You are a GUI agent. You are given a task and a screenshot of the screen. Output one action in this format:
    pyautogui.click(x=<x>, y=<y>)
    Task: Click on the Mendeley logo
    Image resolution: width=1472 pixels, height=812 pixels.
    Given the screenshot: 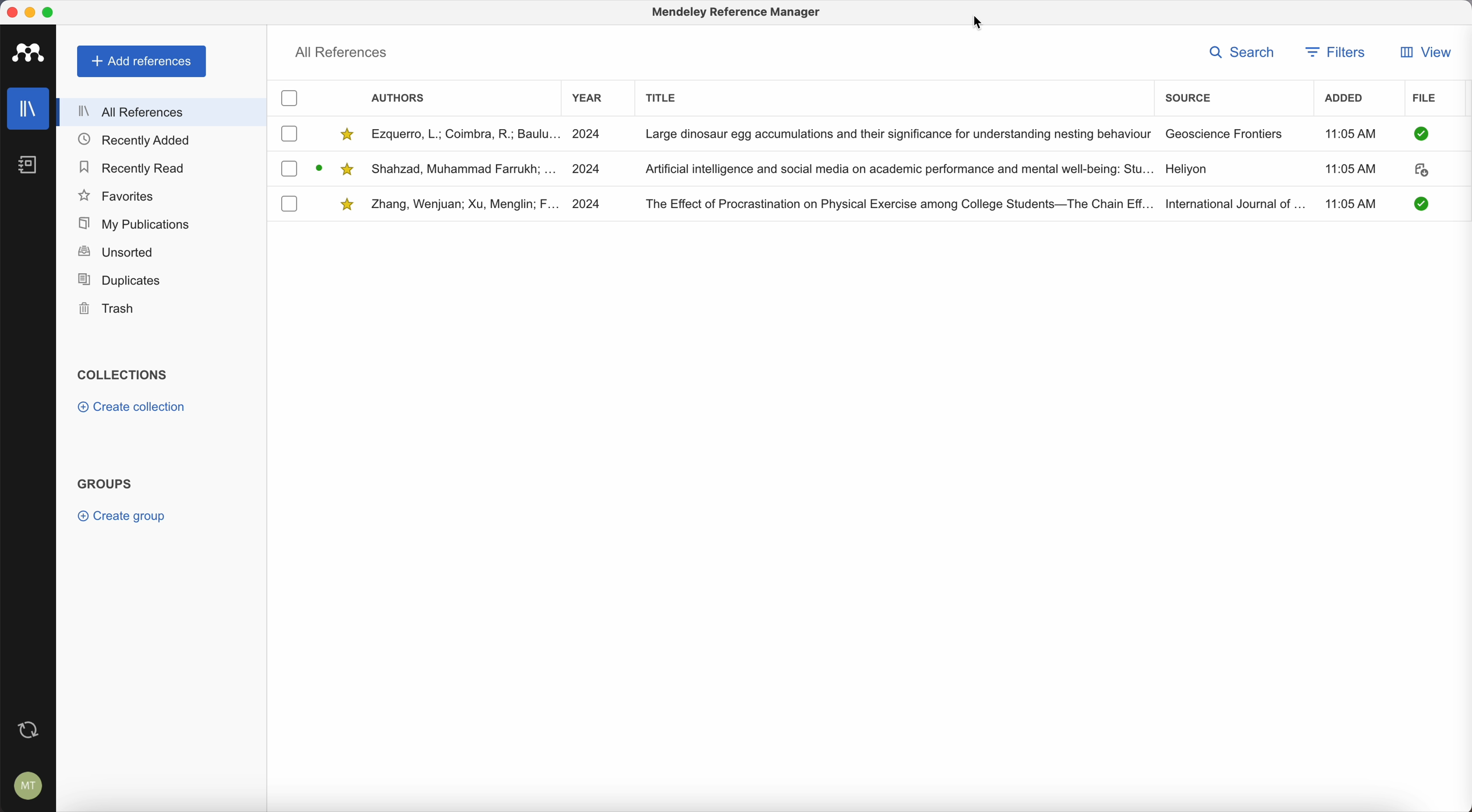 What is the action you would take?
    pyautogui.click(x=31, y=54)
    